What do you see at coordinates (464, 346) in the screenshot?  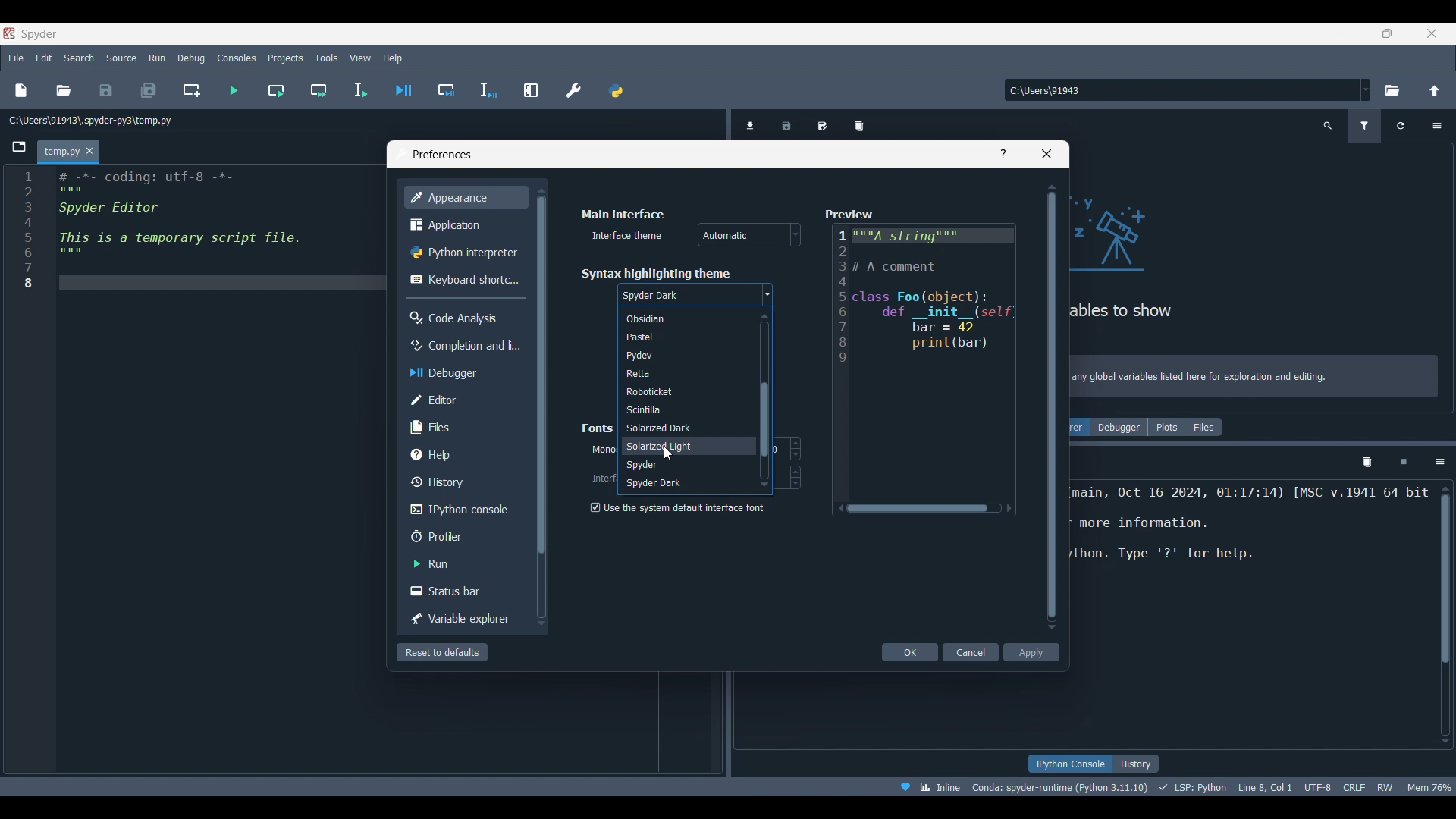 I see `Completion and linting` at bounding box center [464, 346].